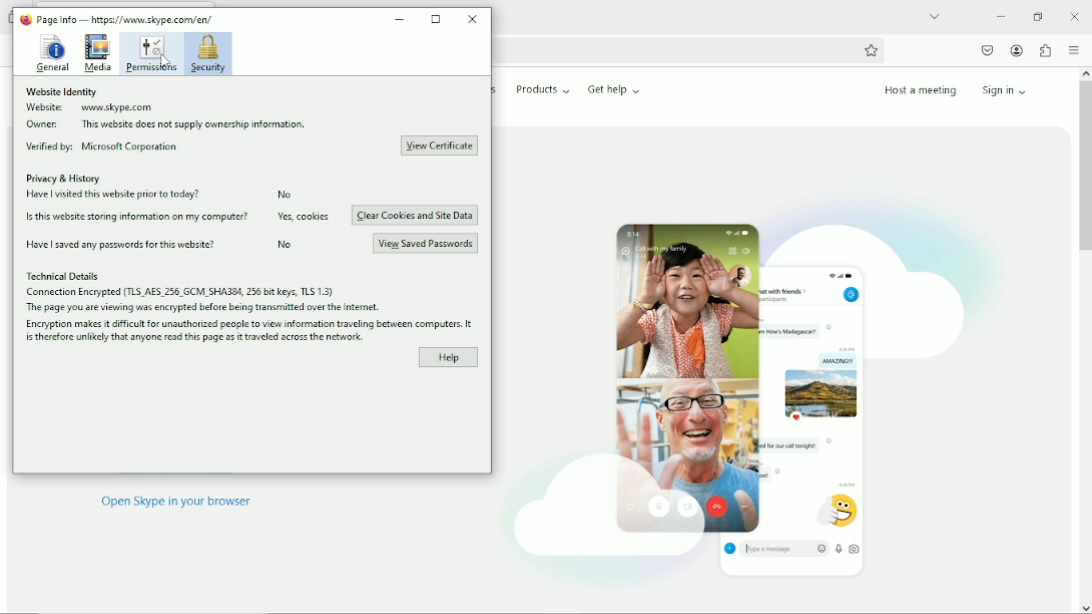 Image resolution: width=1092 pixels, height=614 pixels. What do you see at coordinates (1083, 168) in the screenshot?
I see `vertical scrollbar` at bounding box center [1083, 168].